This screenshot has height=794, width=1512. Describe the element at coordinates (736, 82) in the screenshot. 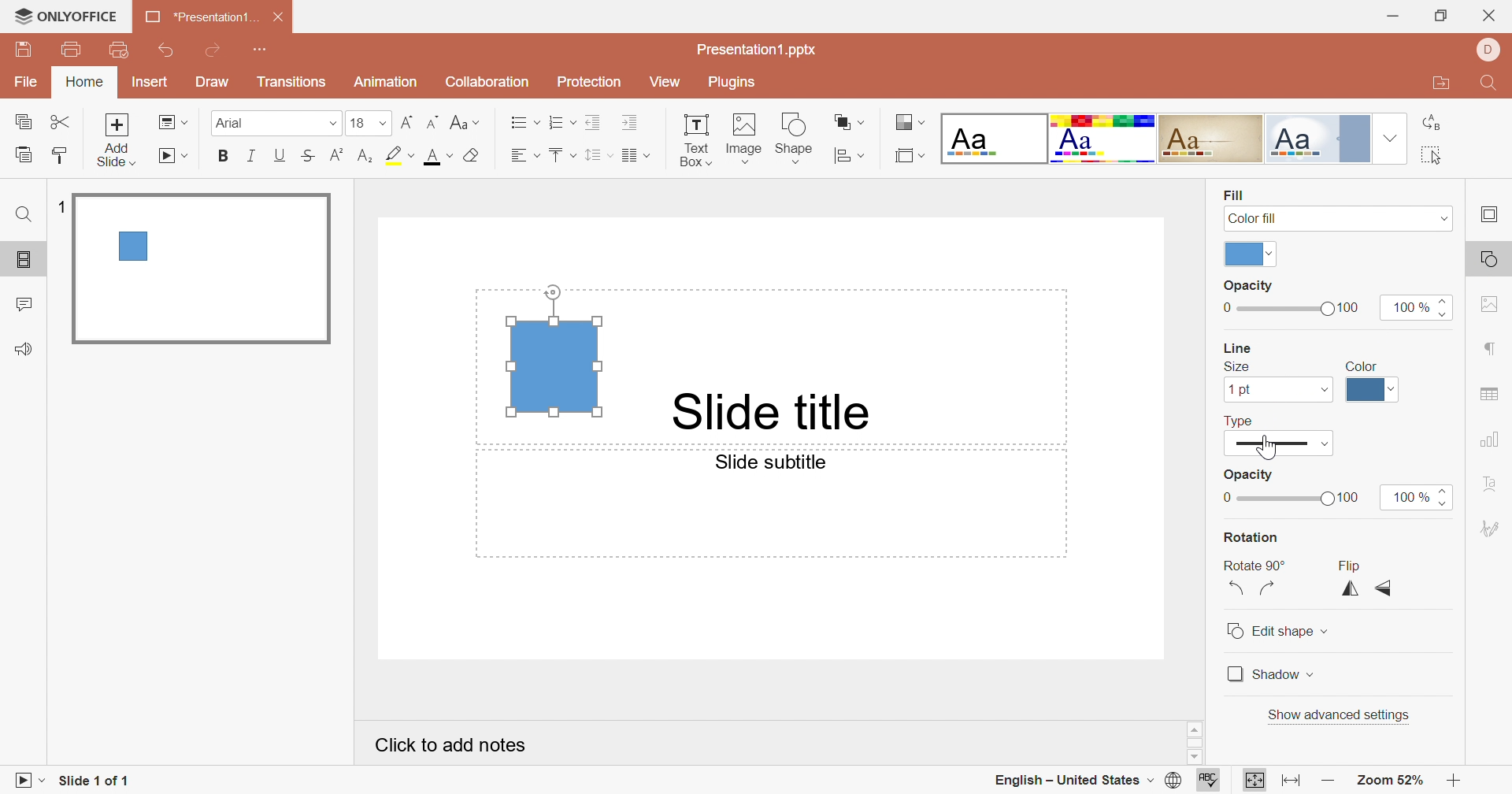

I see `Plugins` at that location.